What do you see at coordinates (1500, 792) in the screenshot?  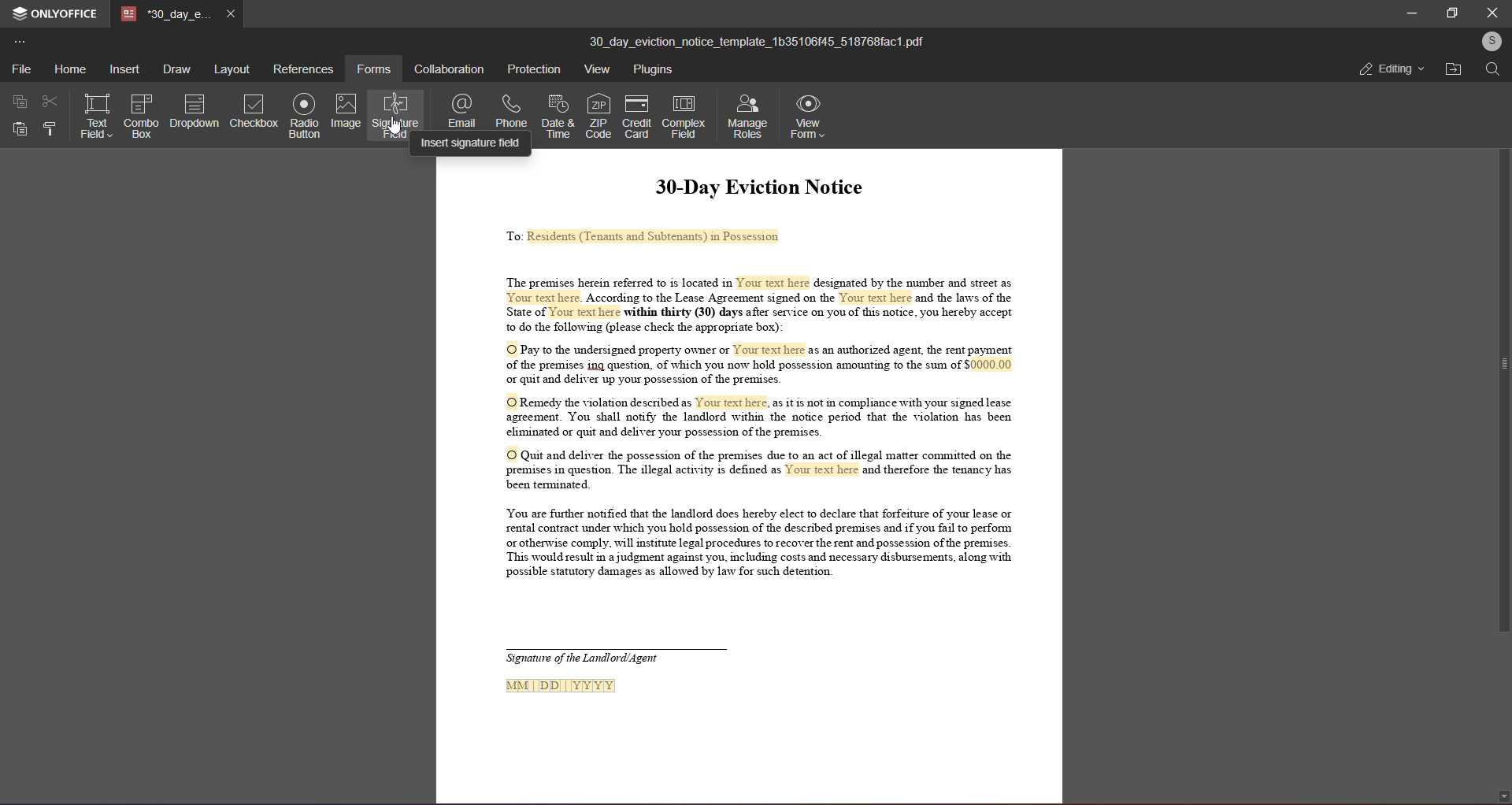 I see `down` at bounding box center [1500, 792].